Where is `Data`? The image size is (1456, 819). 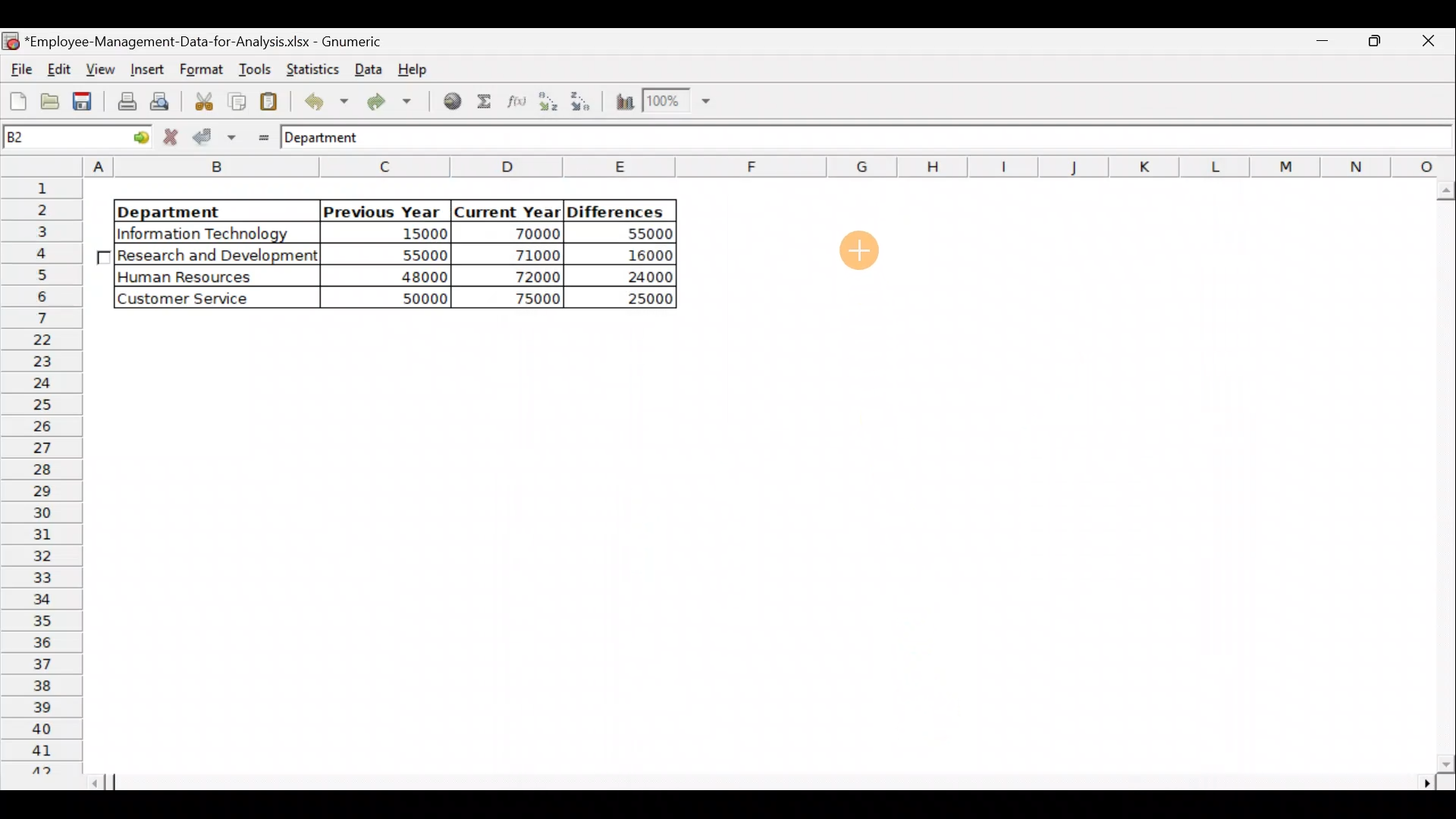
Data is located at coordinates (368, 67).